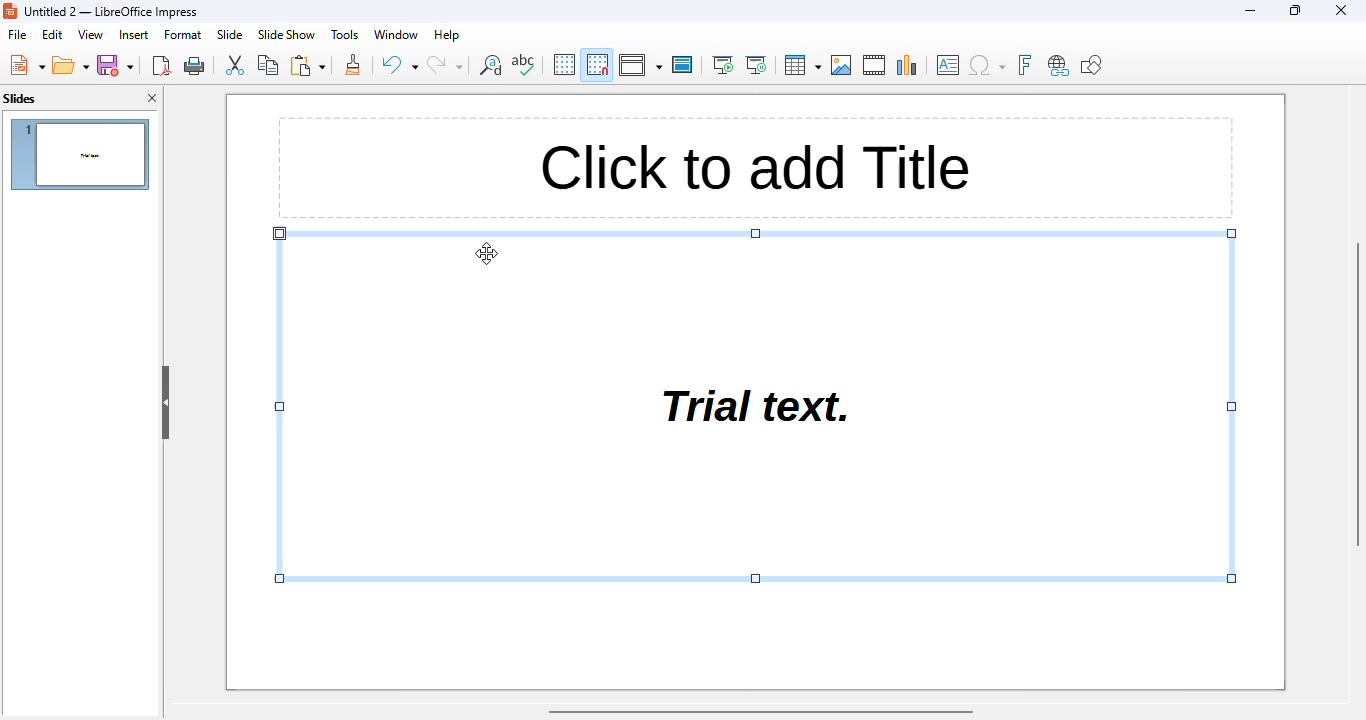 This screenshot has width=1366, height=720. Describe the element at coordinates (446, 65) in the screenshot. I see `redo` at that location.